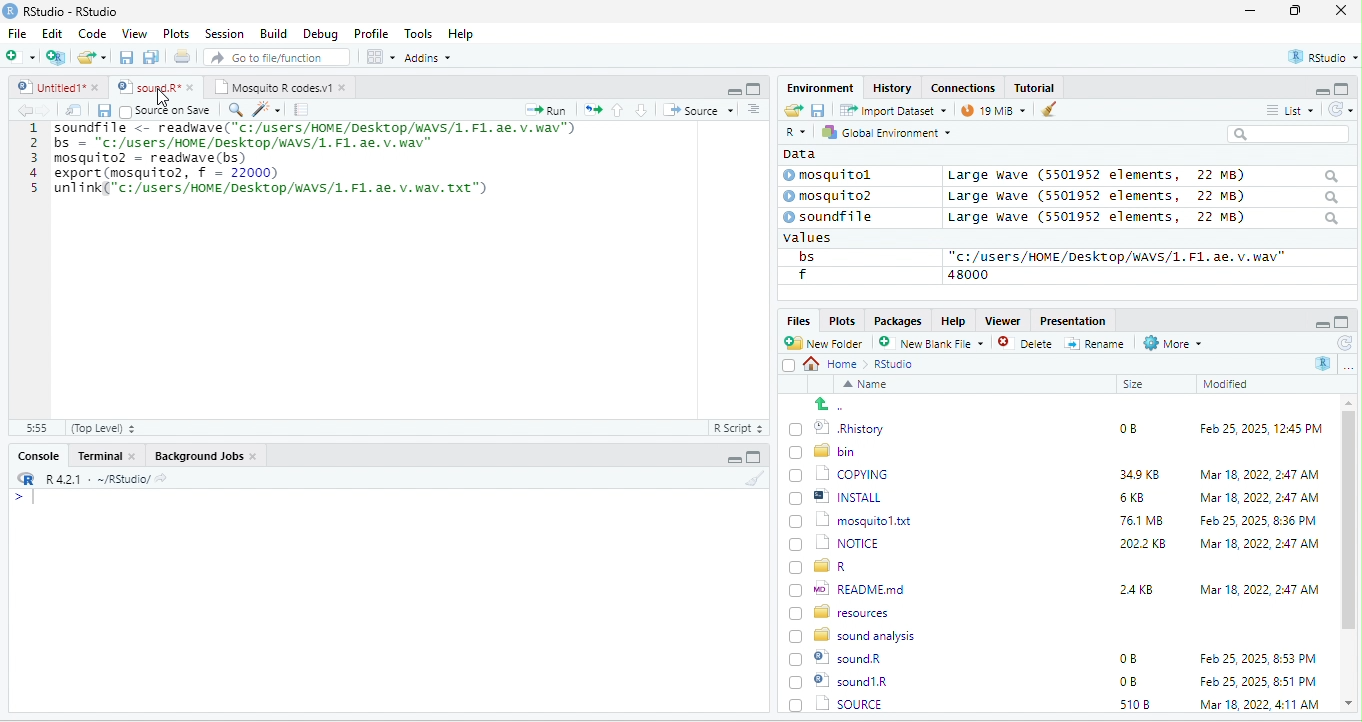 Image resolution: width=1362 pixels, height=722 pixels. What do you see at coordinates (302, 109) in the screenshot?
I see `note` at bounding box center [302, 109].